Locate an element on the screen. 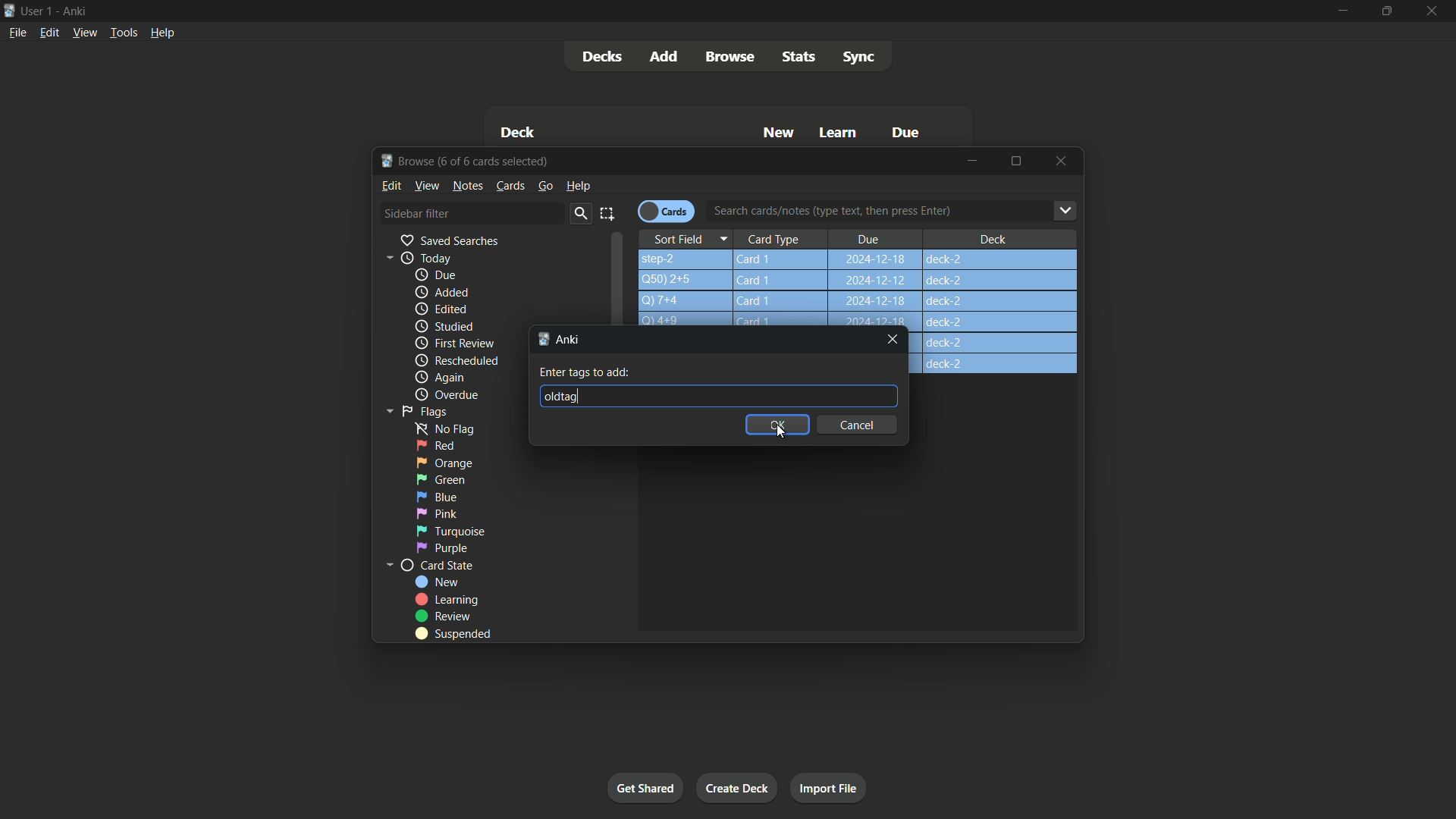  added is located at coordinates (439, 293).